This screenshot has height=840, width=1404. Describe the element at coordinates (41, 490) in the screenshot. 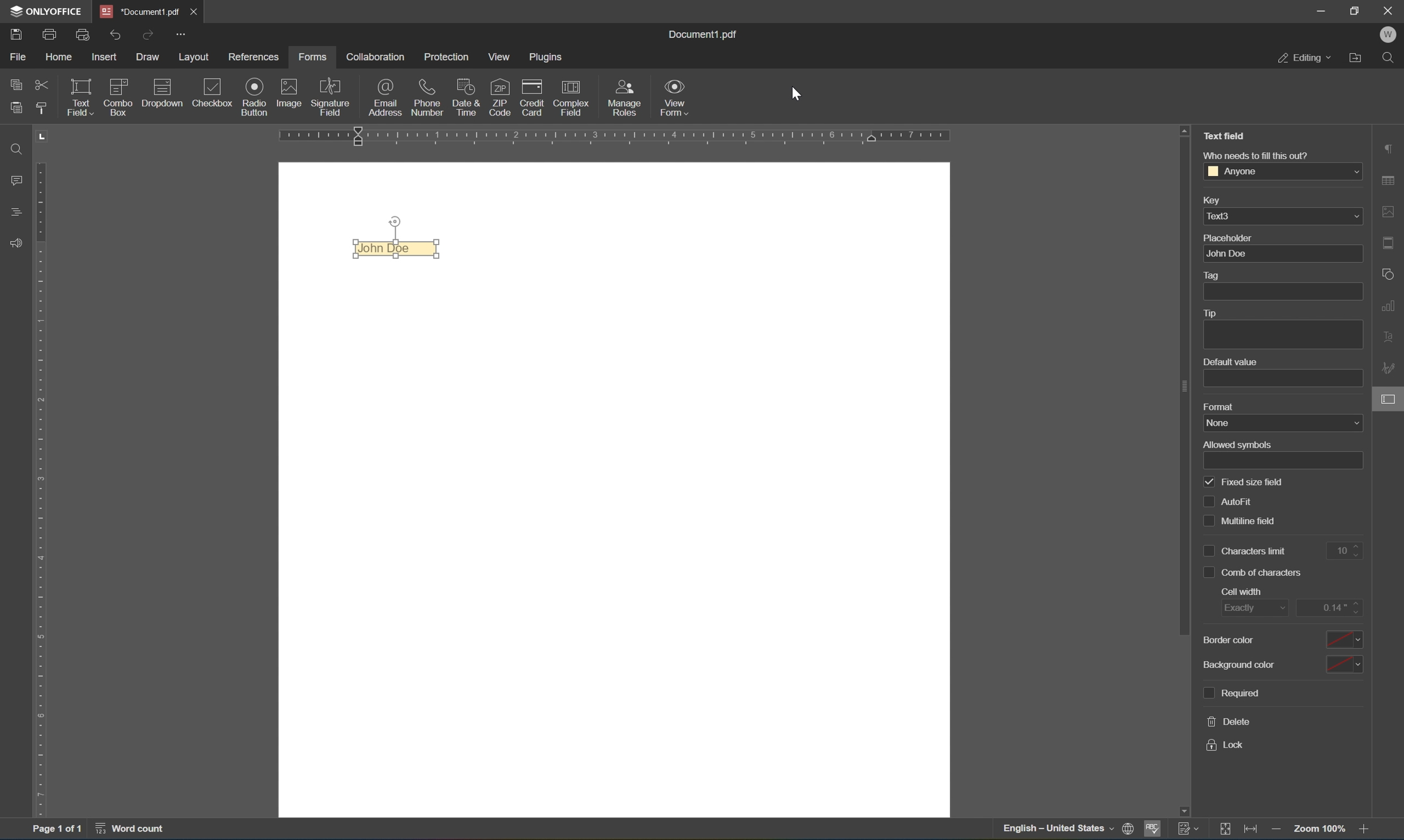

I see `ruler` at that location.